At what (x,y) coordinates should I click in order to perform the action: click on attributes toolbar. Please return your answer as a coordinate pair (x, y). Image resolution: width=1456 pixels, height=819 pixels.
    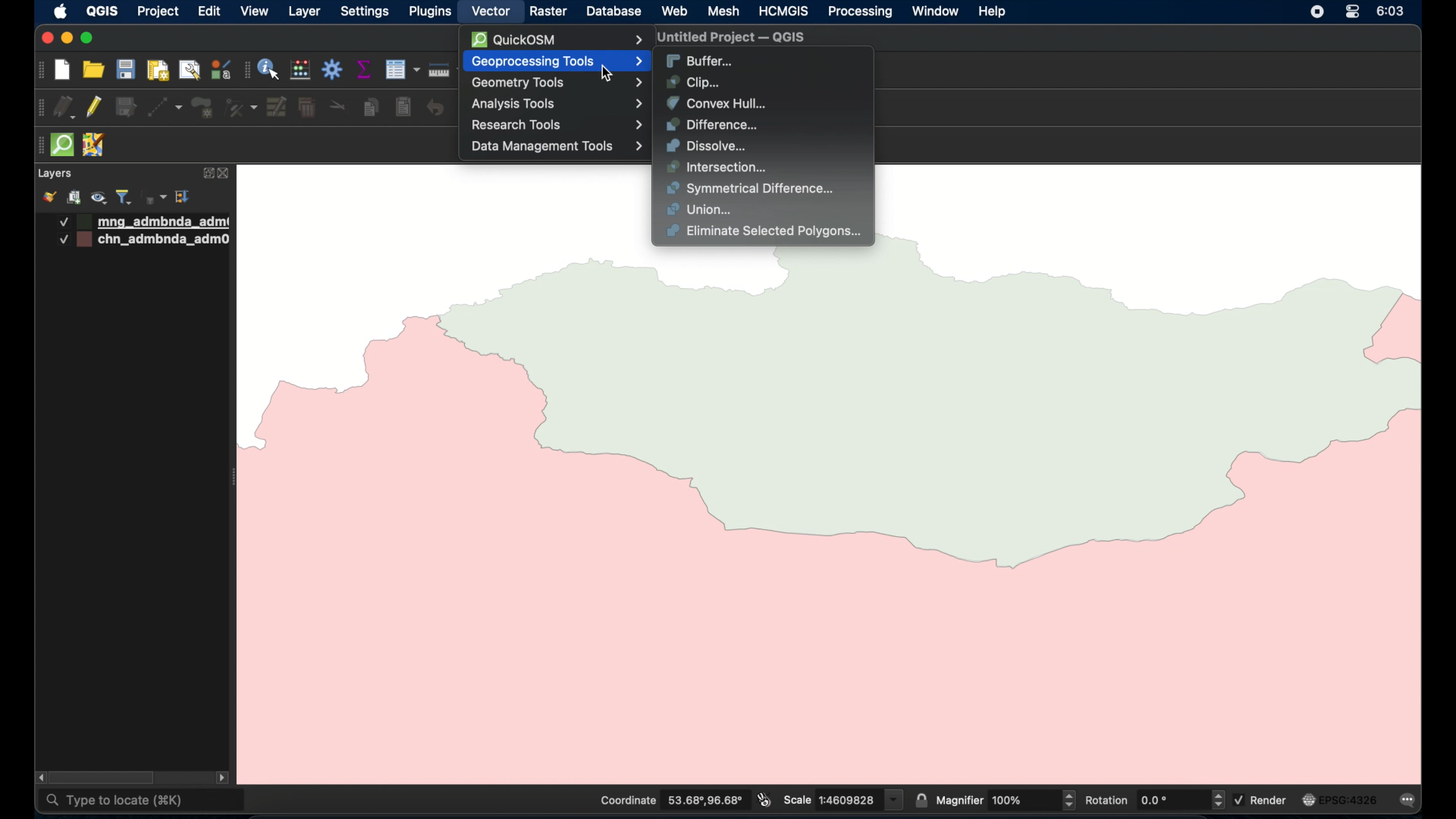
    Looking at the image, I should click on (246, 71).